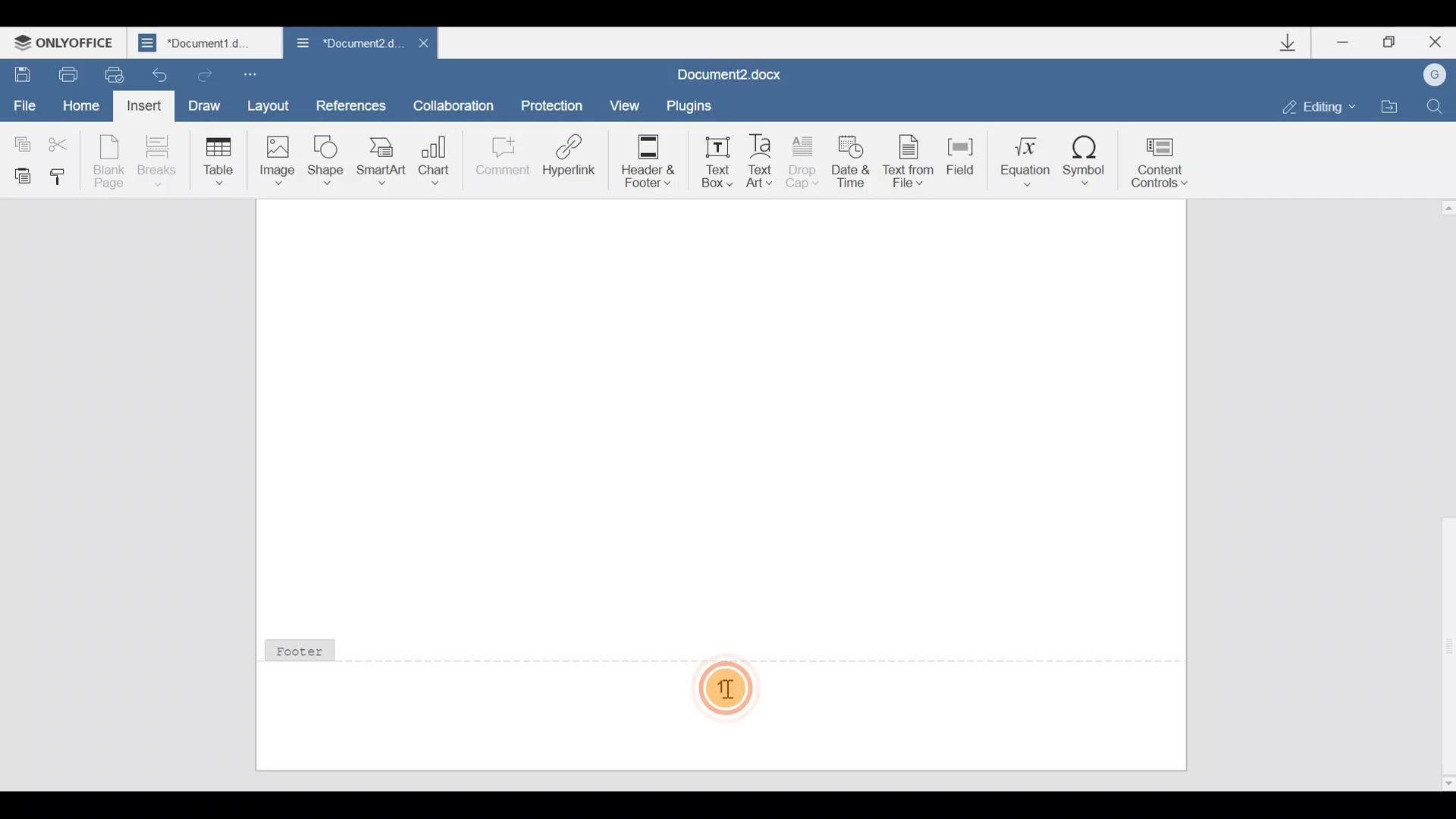 This screenshot has width=1456, height=819. I want to click on Copy style, so click(64, 176).